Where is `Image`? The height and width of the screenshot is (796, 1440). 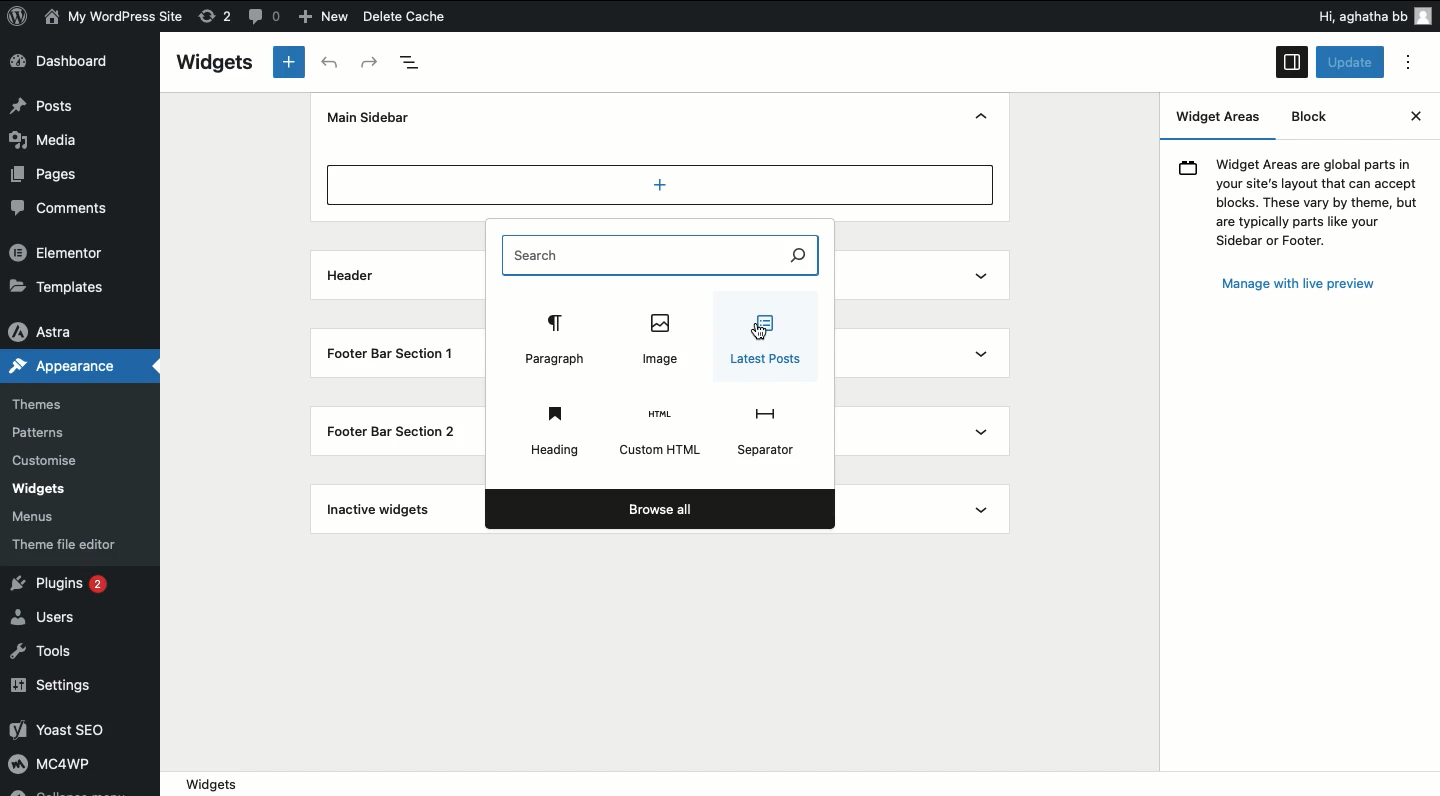 Image is located at coordinates (660, 343).